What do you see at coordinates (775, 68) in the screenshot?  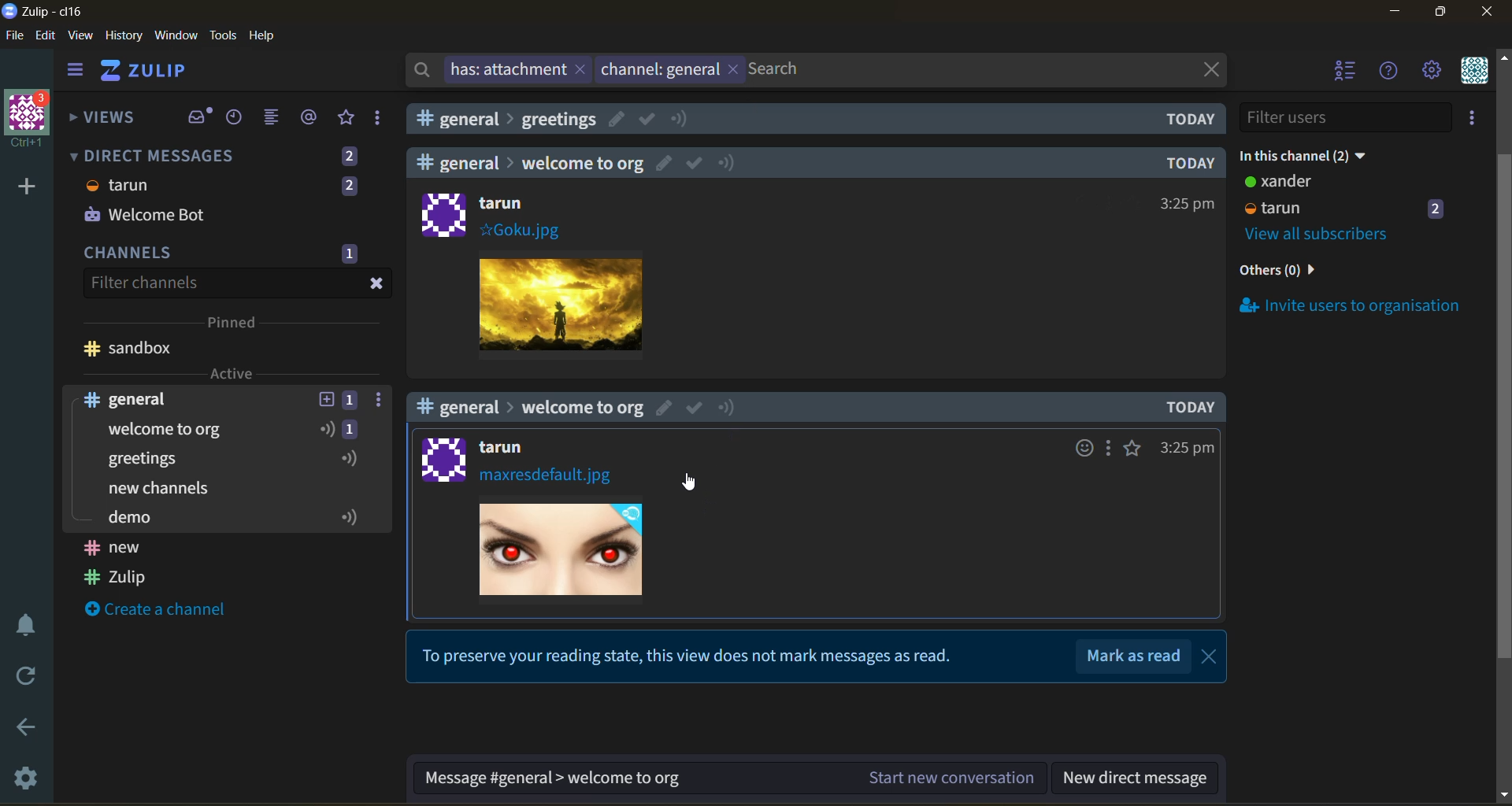 I see `Search` at bounding box center [775, 68].